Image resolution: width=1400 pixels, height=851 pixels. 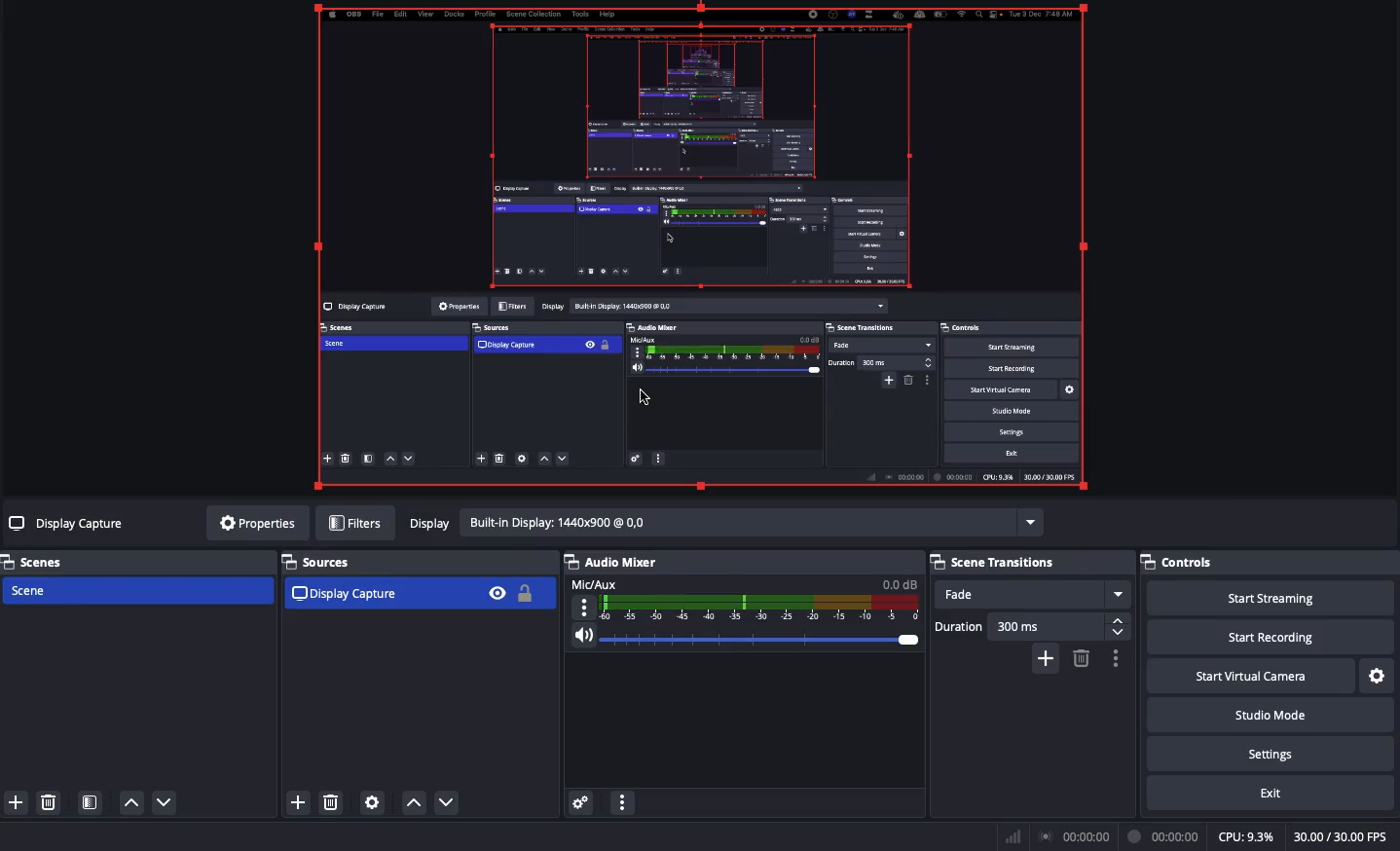 I want to click on Scene, so click(x=139, y=590).